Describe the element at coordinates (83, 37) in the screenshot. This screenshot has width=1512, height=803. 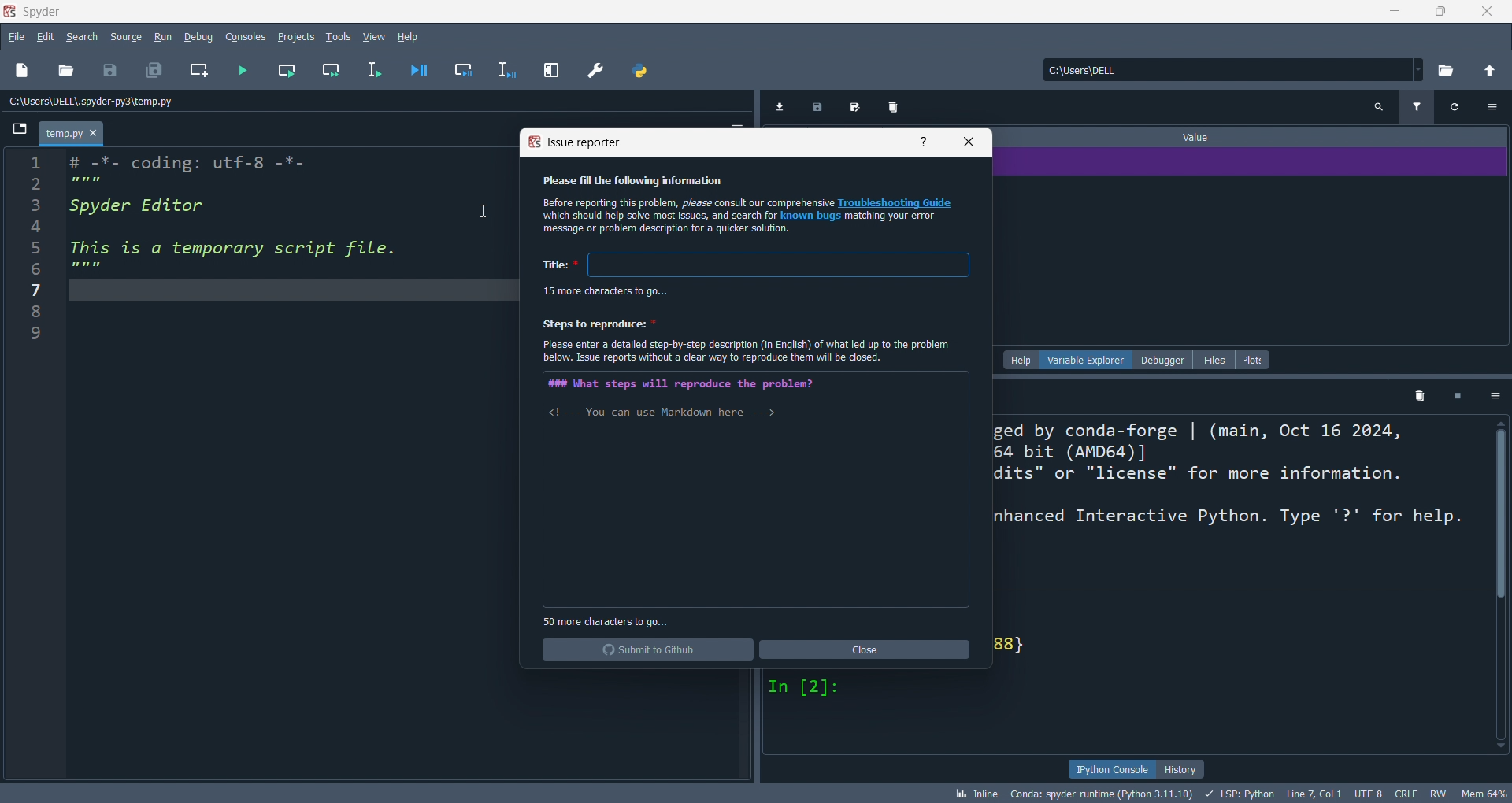
I see `search` at that location.